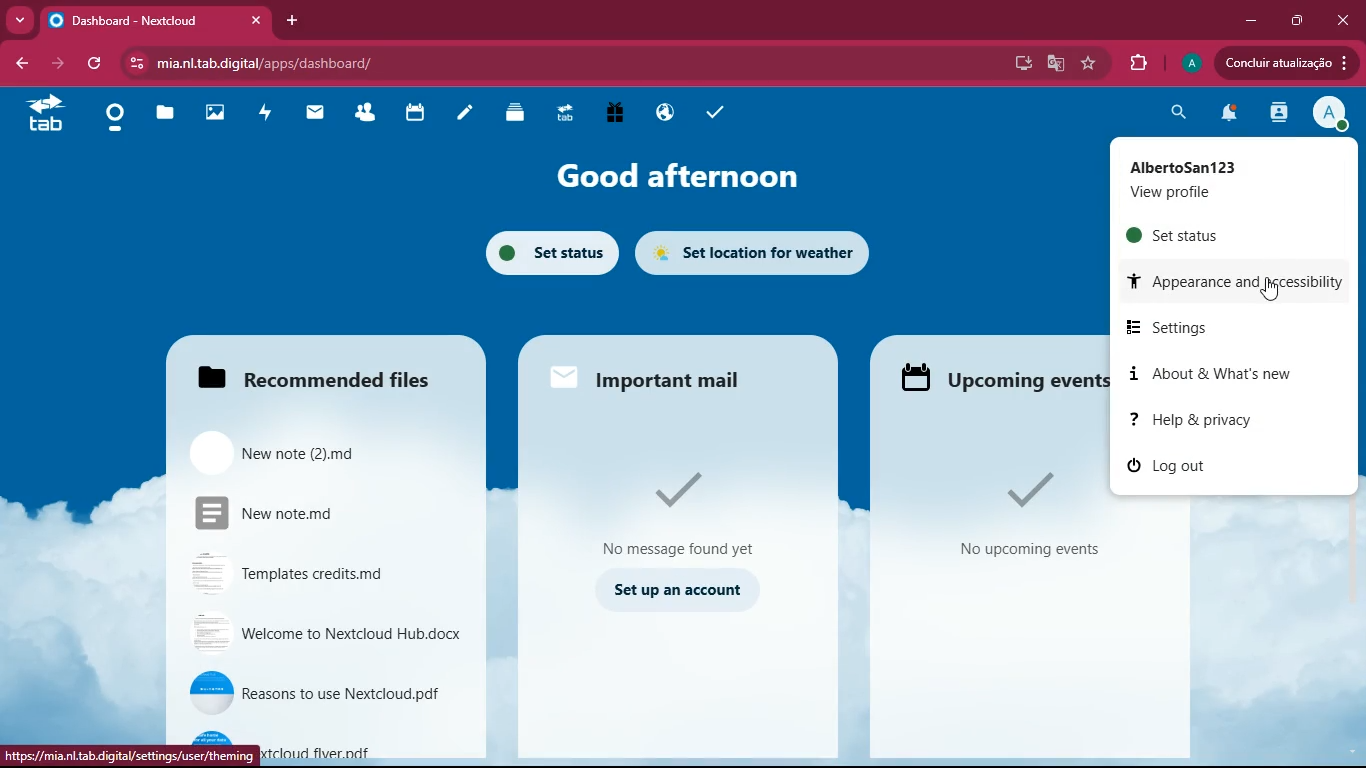 Image resolution: width=1366 pixels, height=768 pixels. What do you see at coordinates (1055, 65) in the screenshot?
I see `google translate` at bounding box center [1055, 65].